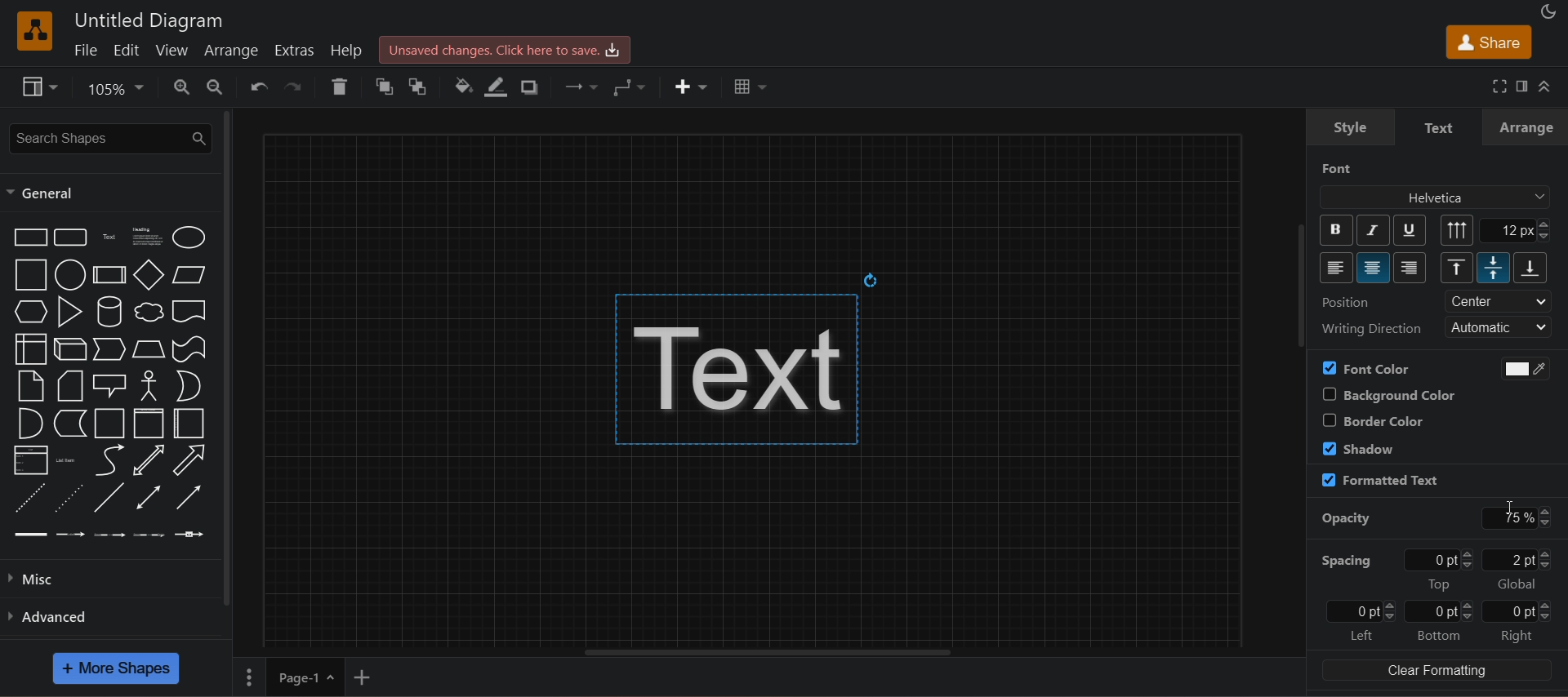  Describe the element at coordinates (190, 424) in the screenshot. I see `horizontal container` at that location.